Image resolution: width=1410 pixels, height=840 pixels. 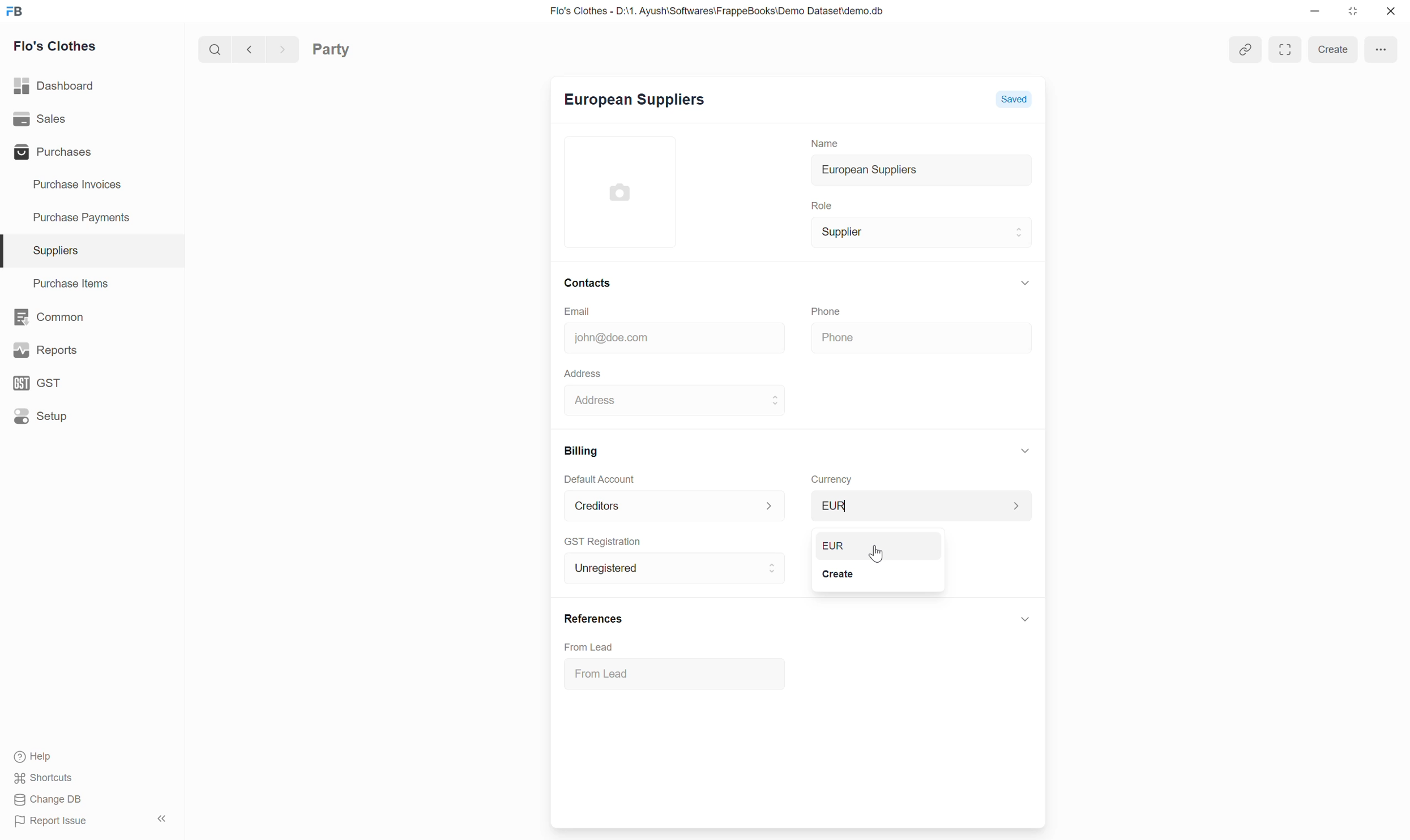 What do you see at coordinates (1284, 50) in the screenshot?
I see `Expand` at bounding box center [1284, 50].